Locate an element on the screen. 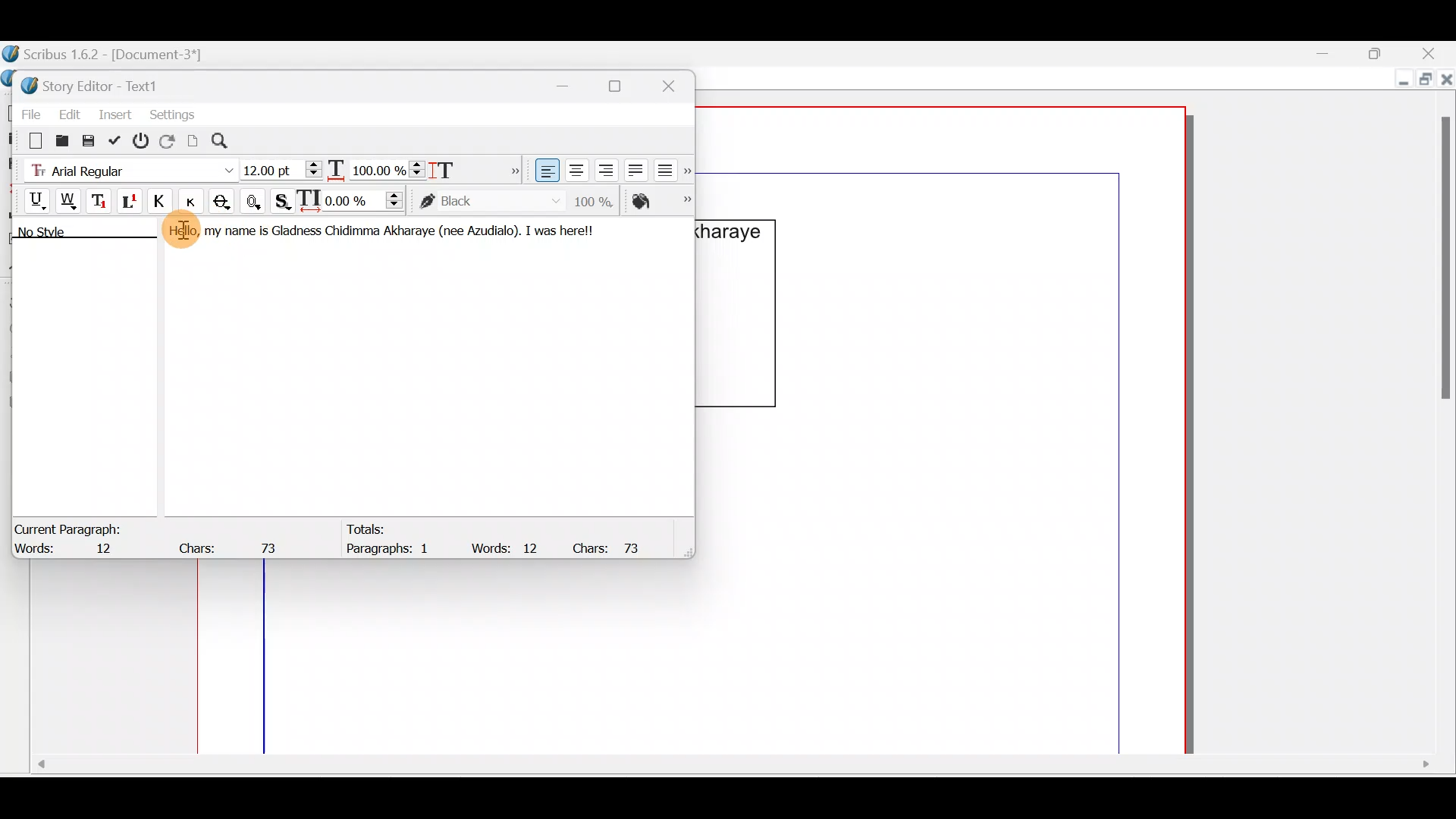 The width and height of the screenshot is (1456, 819). Words: 12 is located at coordinates (508, 548).